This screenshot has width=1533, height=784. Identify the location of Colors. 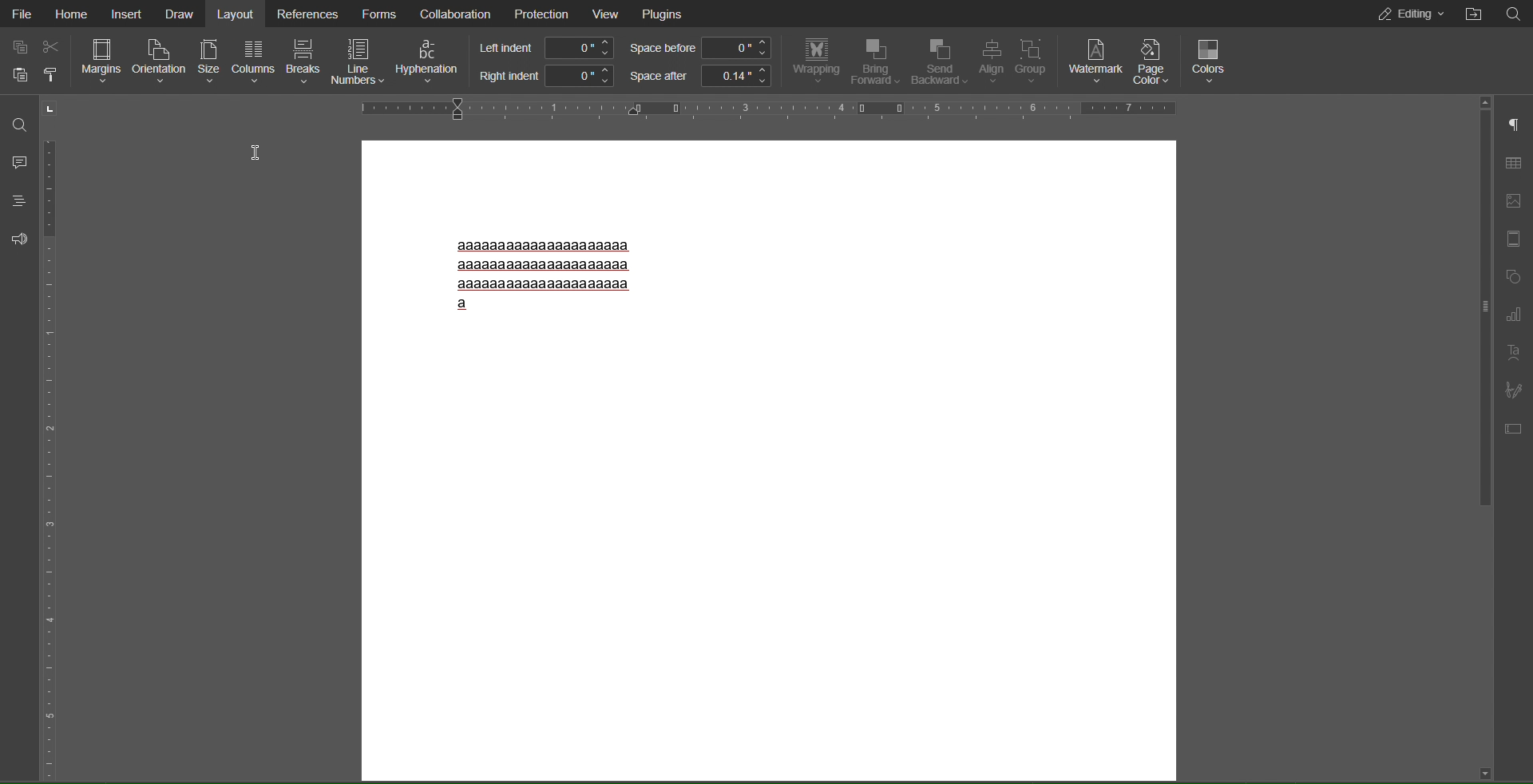
(1211, 59).